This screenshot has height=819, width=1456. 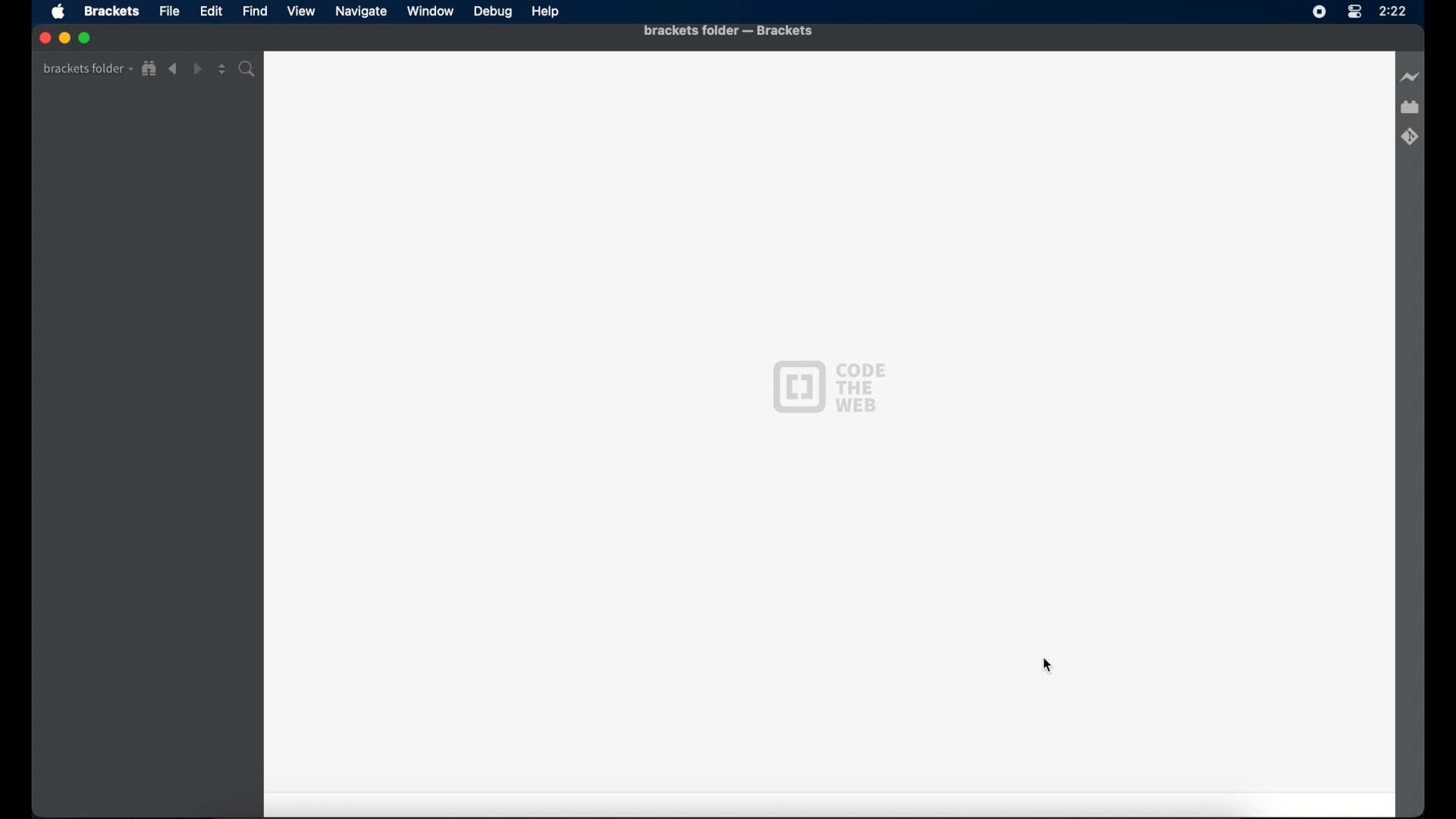 What do you see at coordinates (87, 68) in the screenshot?
I see `brackets folder` at bounding box center [87, 68].